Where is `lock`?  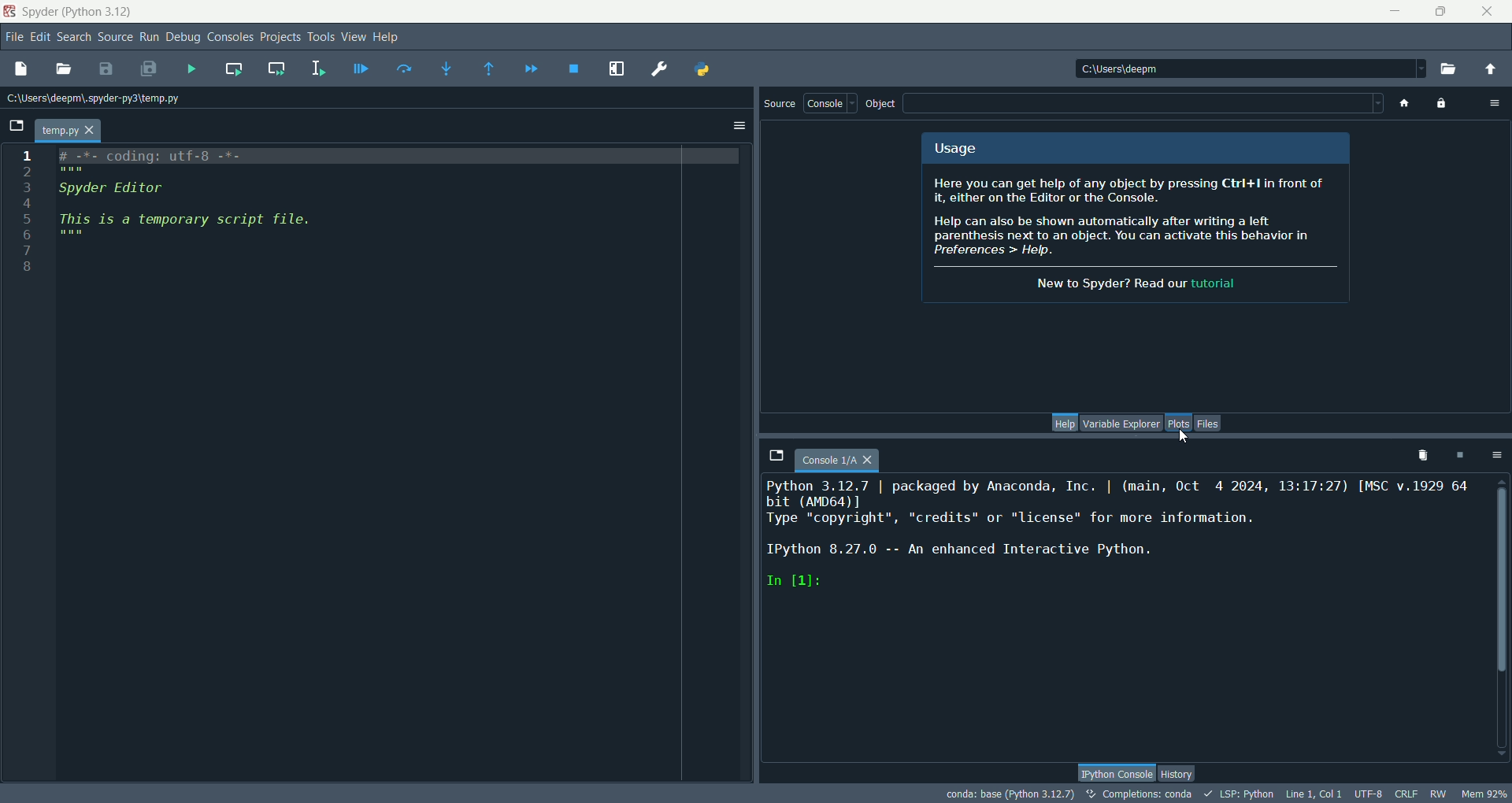 lock is located at coordinates (1444, 105).